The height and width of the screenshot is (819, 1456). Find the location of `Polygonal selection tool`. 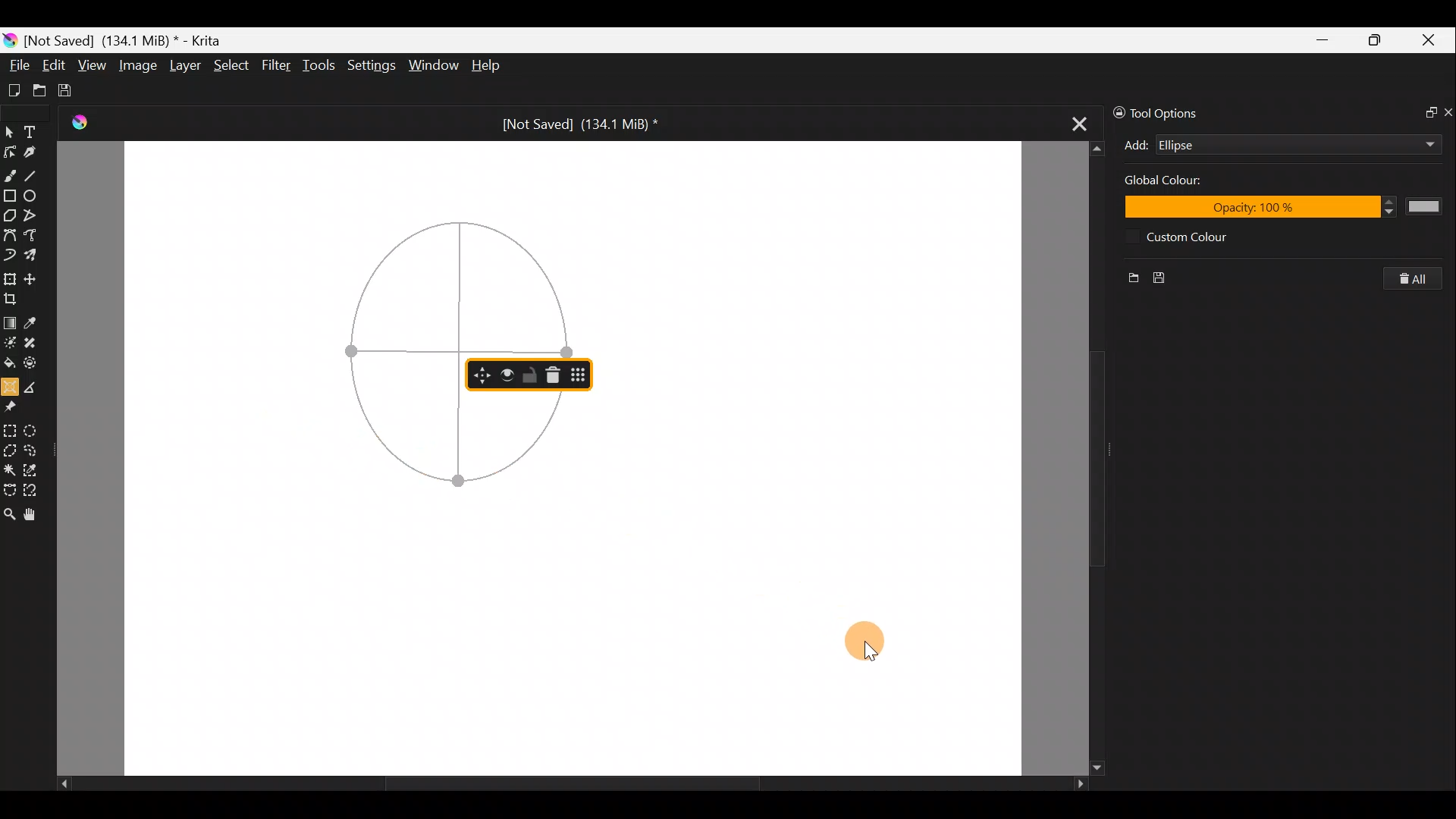

Polygonal selection tool is located at coordinates (10, 448).